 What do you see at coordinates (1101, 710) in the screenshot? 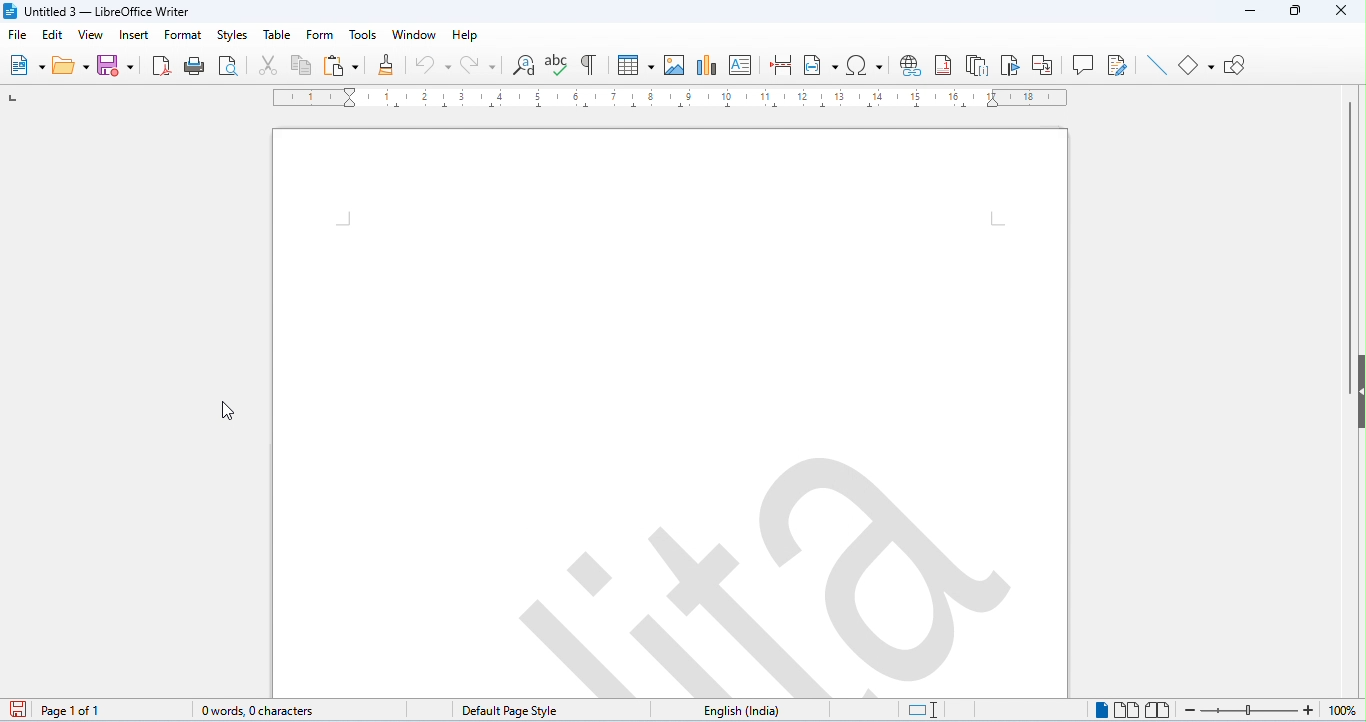
I see `single page view` at bounding box center [1101, 710].